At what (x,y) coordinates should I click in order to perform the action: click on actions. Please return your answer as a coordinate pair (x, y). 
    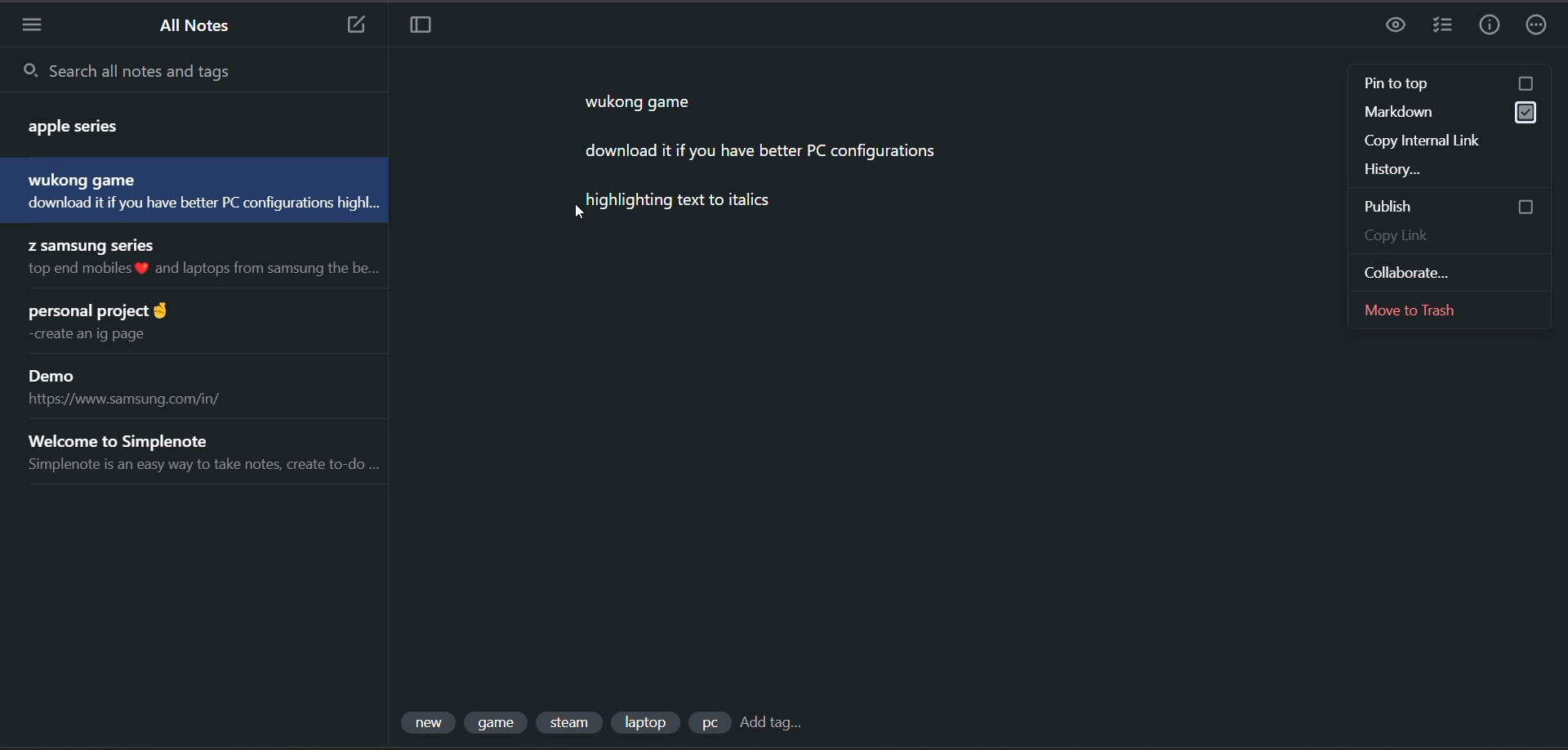
    Looking at the image, I should click on (1541, 27).